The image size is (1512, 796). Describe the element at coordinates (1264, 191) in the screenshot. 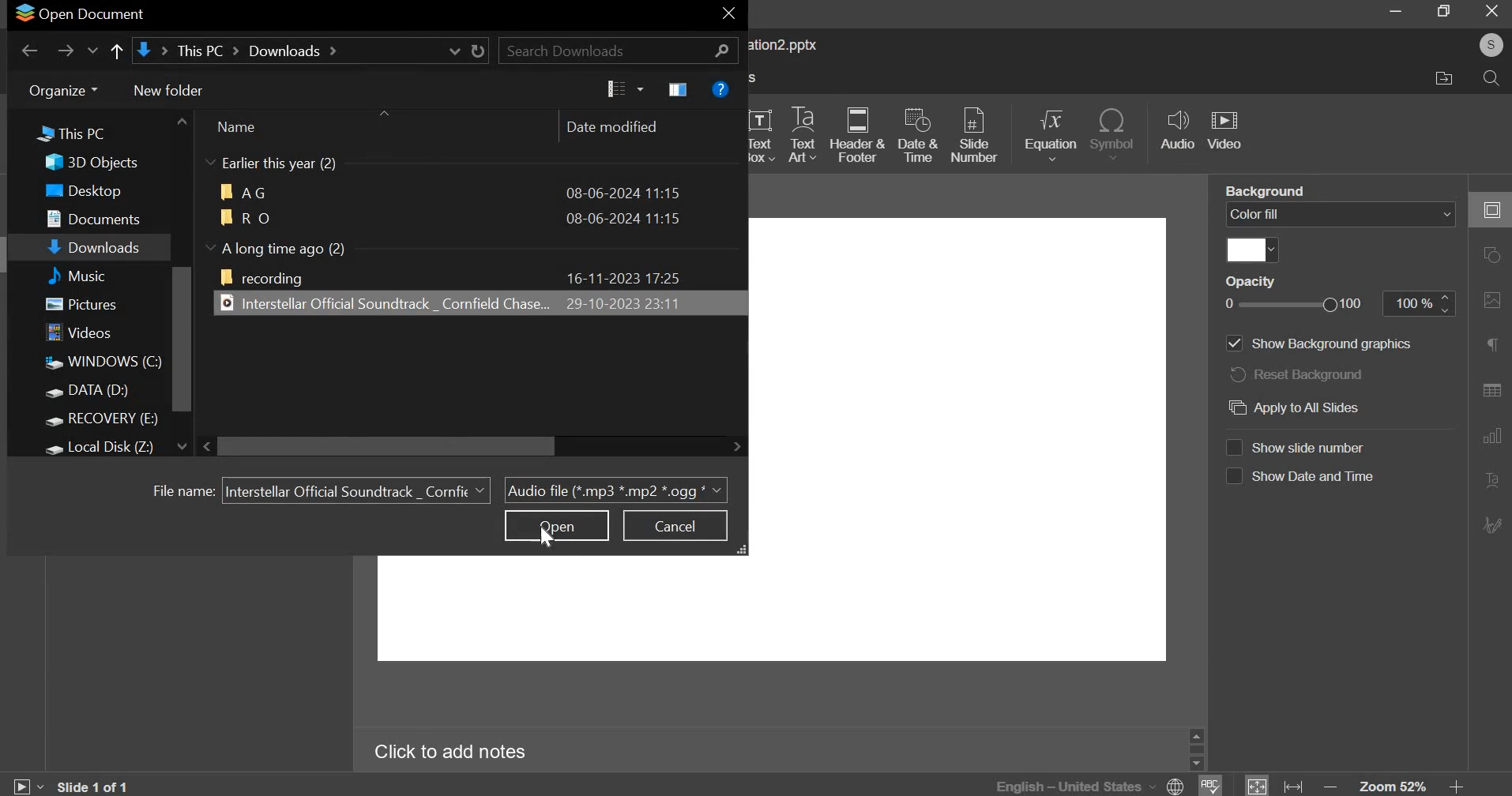

I see `background` at that location.